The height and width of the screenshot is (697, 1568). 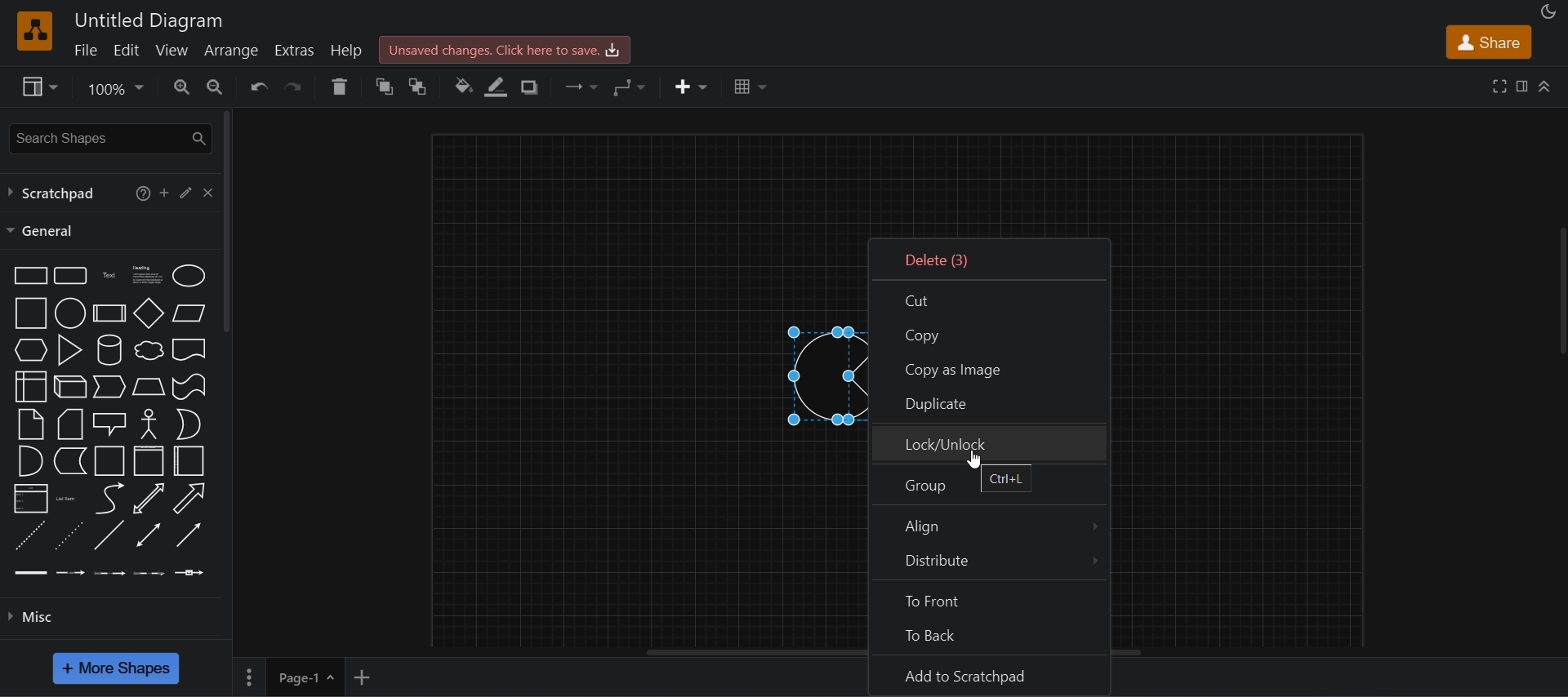 What do you see at coordinates (751, 87) in the screenshot?
I see `tavle` at bounding box center [751, 87].